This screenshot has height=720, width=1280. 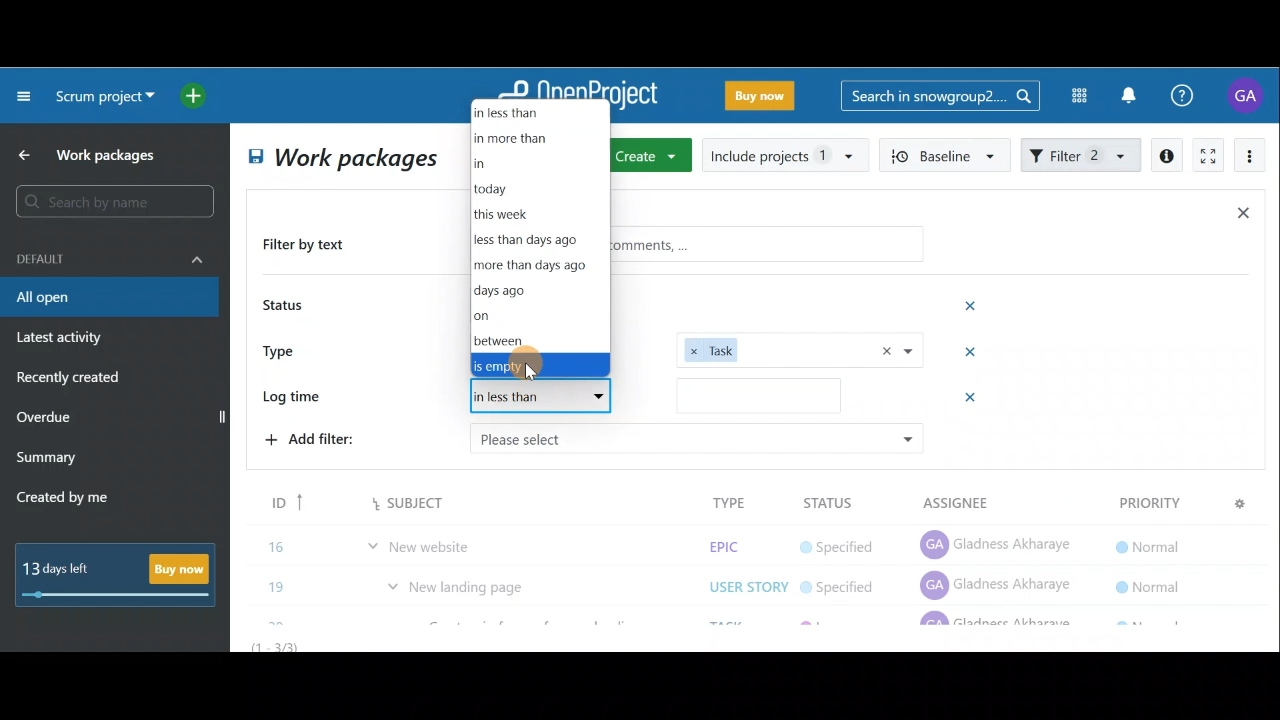 I want to click on Filter by text, so click(x=312, y=246).